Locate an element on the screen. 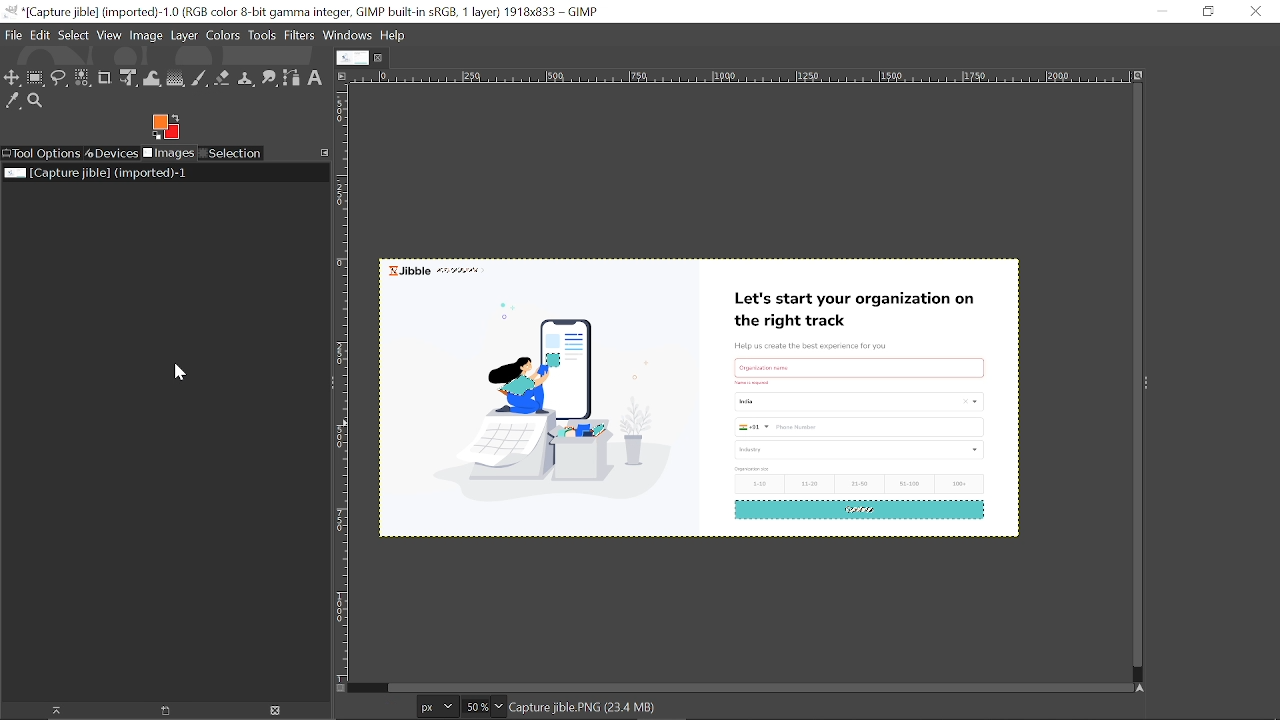 This screenshot has height=720, width=1280. Zoom options is located at coordinates (498, 706).